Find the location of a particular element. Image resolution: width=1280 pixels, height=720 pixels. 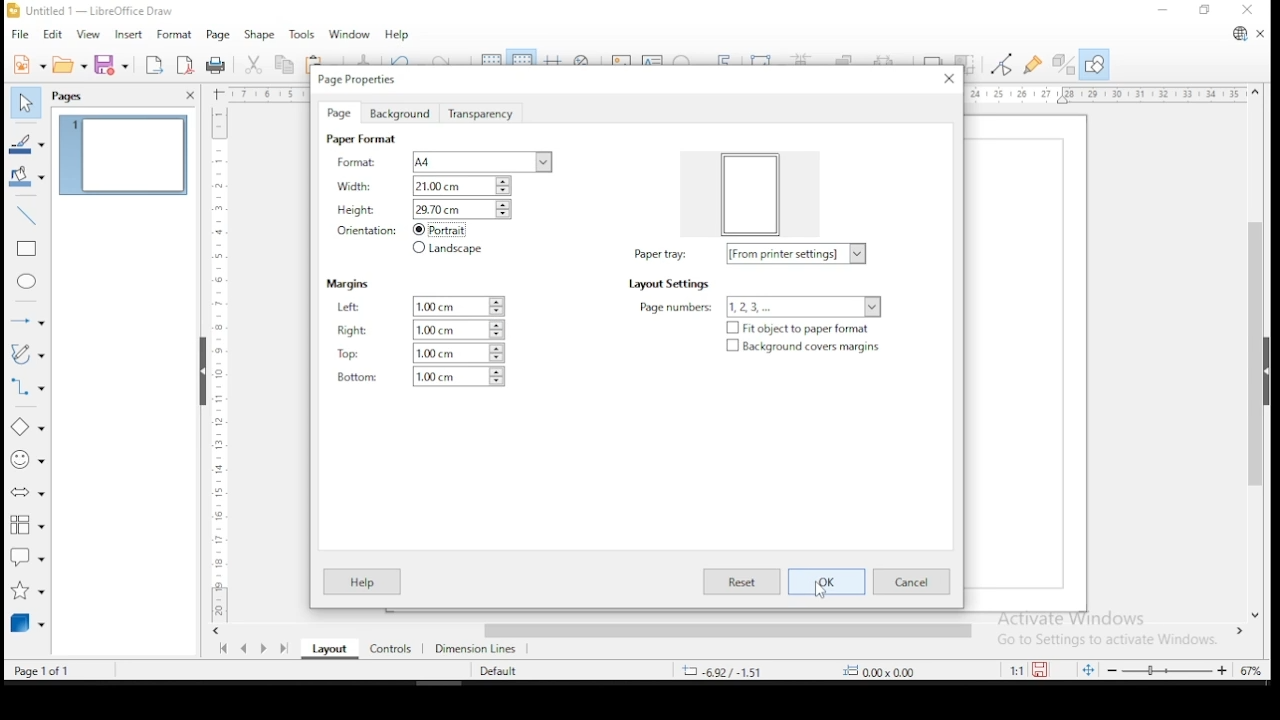

background is located at coordinates (398, 113).